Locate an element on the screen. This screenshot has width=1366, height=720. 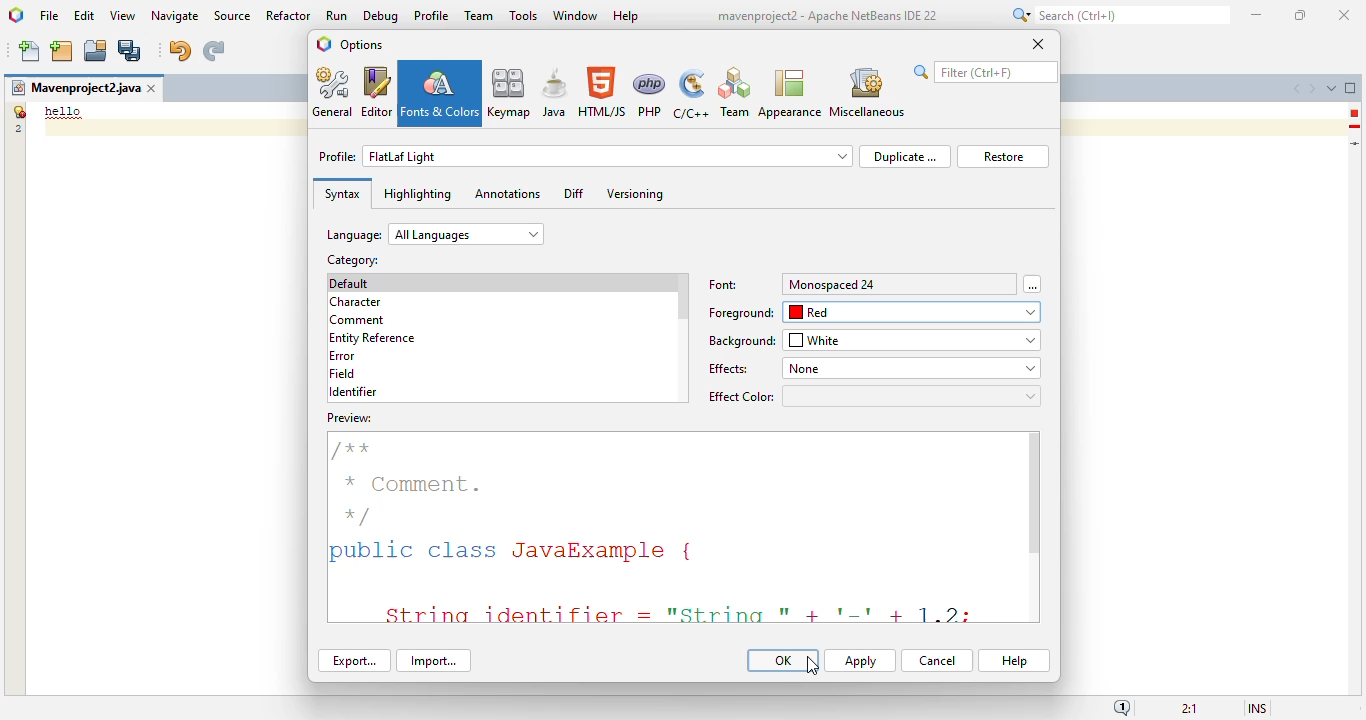
Team is located at coordinates (734, 93).